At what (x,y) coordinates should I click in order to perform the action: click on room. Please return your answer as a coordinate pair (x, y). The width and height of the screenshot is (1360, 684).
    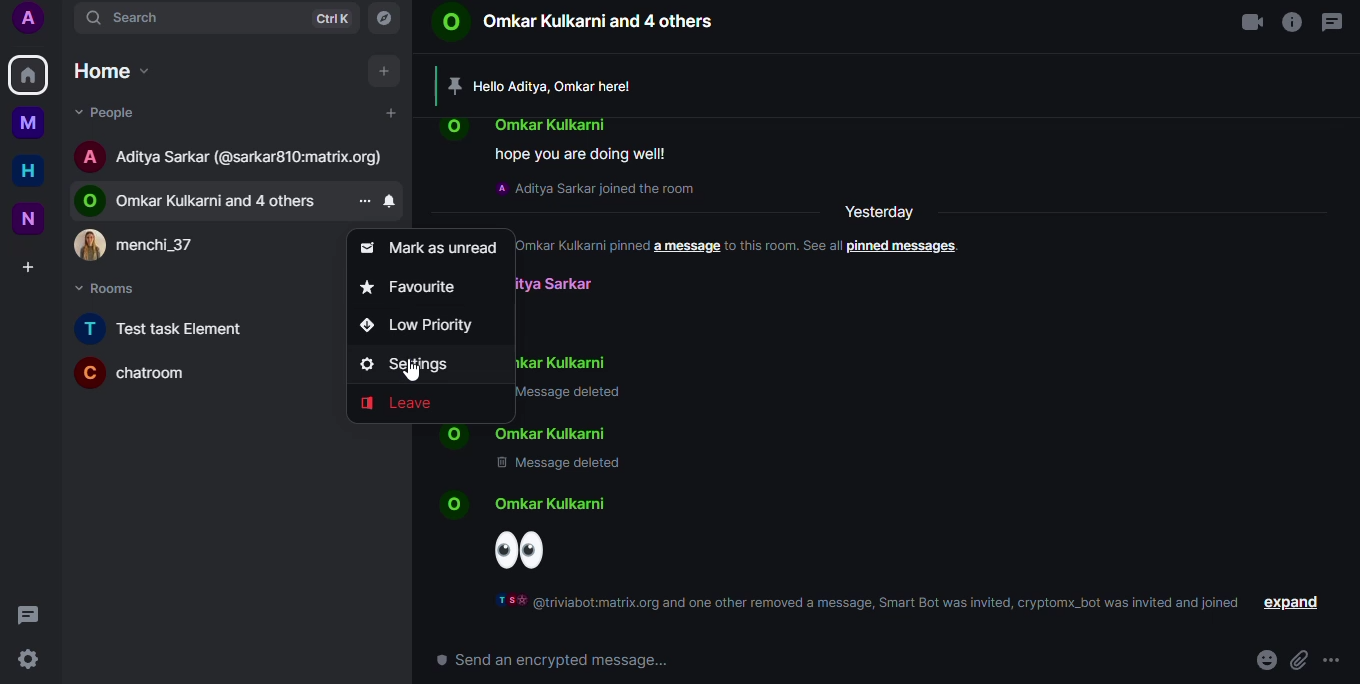
    Looking at the image, I should click on (139, 371).